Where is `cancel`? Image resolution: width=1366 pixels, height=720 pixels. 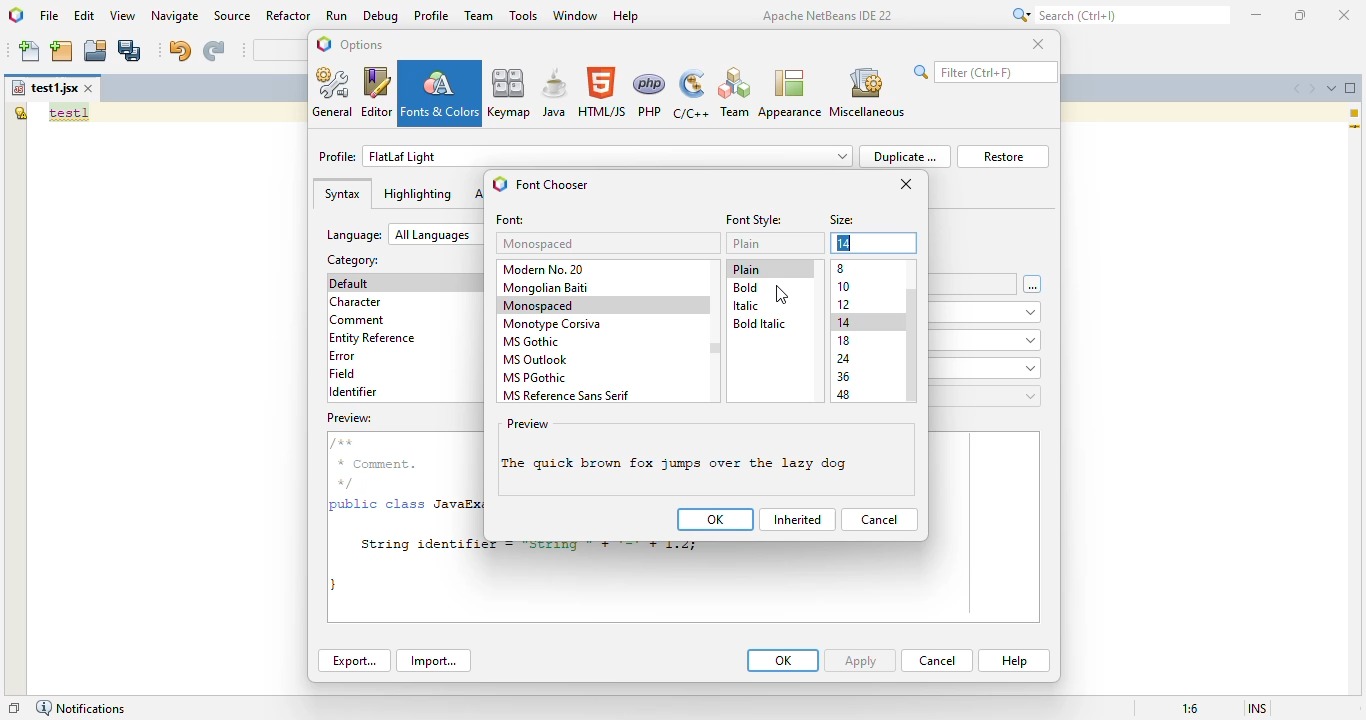 cancel is located at coordinates (879, 518).